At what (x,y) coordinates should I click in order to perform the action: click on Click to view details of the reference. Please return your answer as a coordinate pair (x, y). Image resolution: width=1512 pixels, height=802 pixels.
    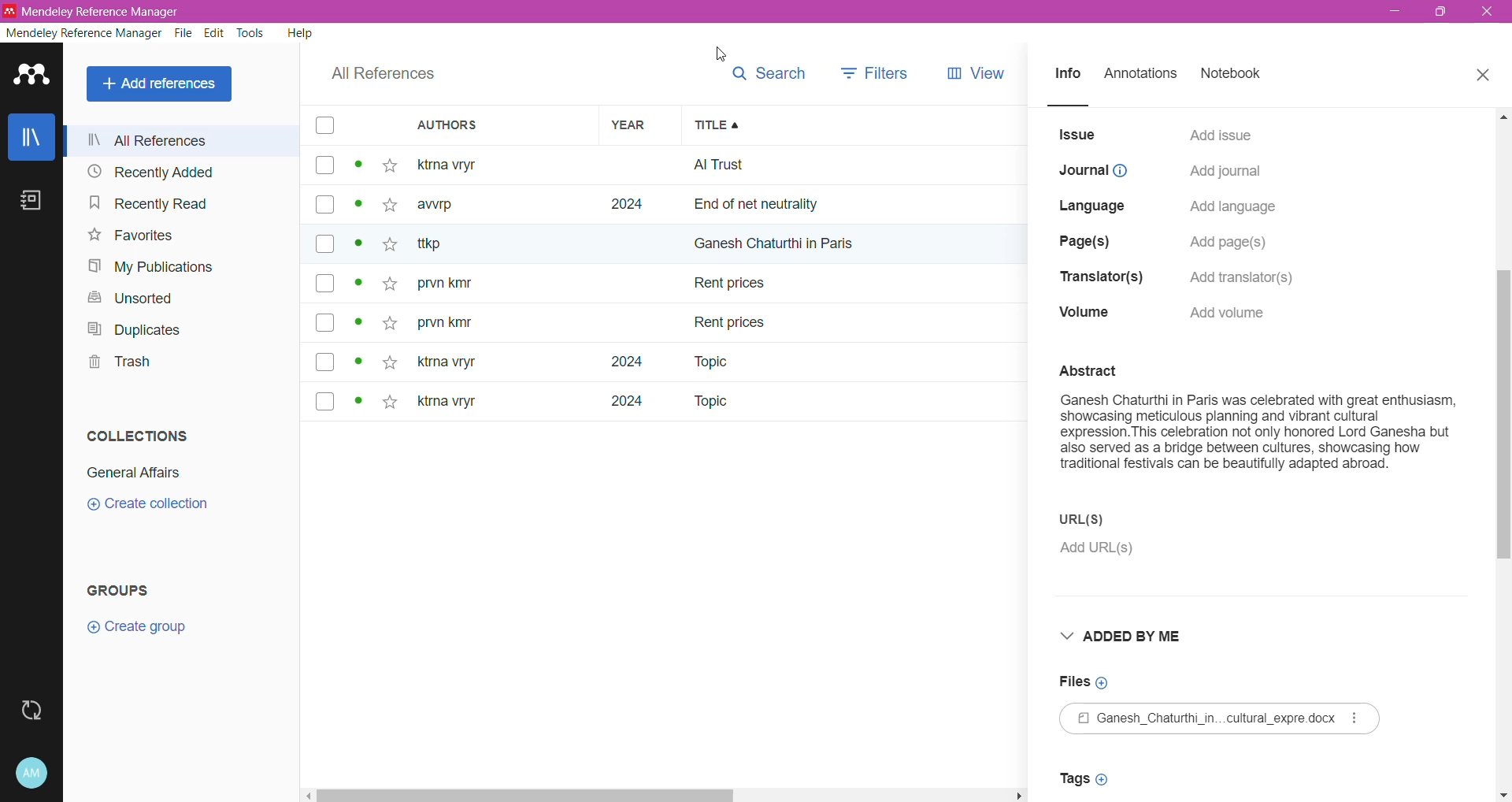
    Looking at the image, I should click on (361, 285).